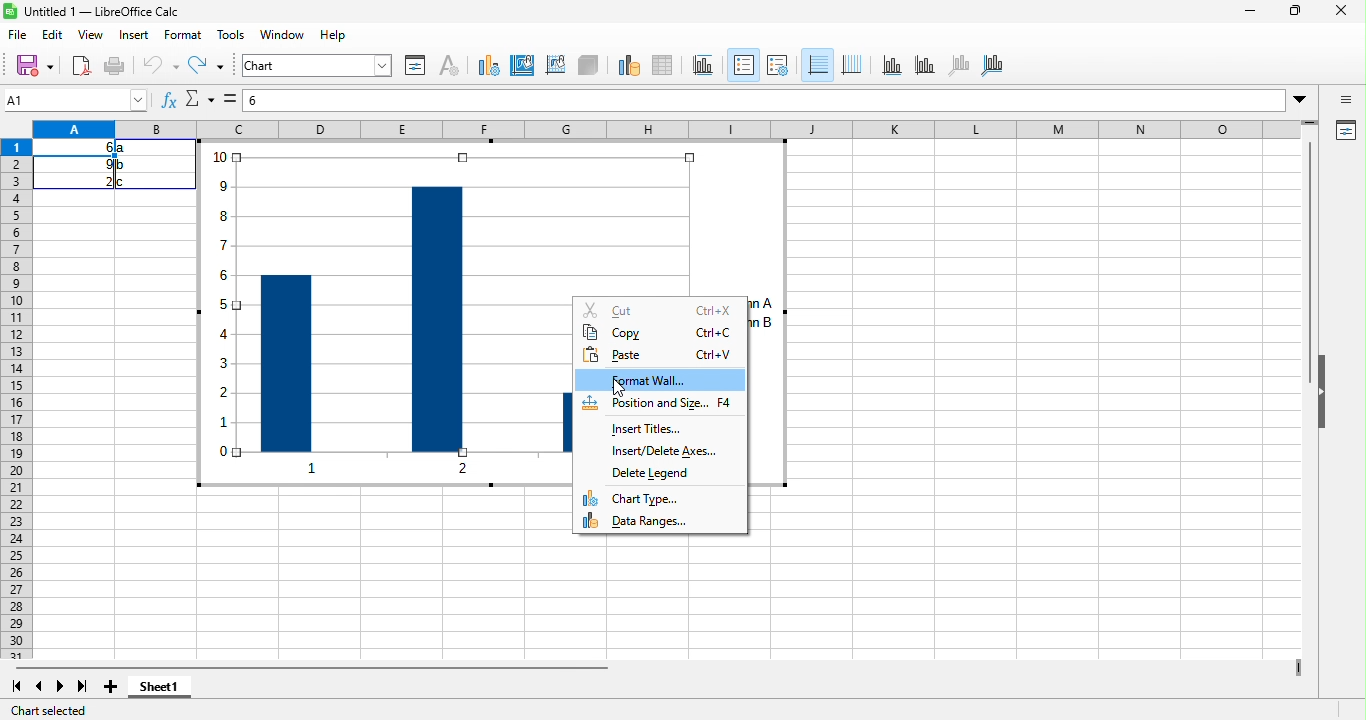 This screenshot has height=720, width=1366. What do you see at coordinates (59, 710) in the screenshot?
I see `chart selected` at bounding box center [59, 710].